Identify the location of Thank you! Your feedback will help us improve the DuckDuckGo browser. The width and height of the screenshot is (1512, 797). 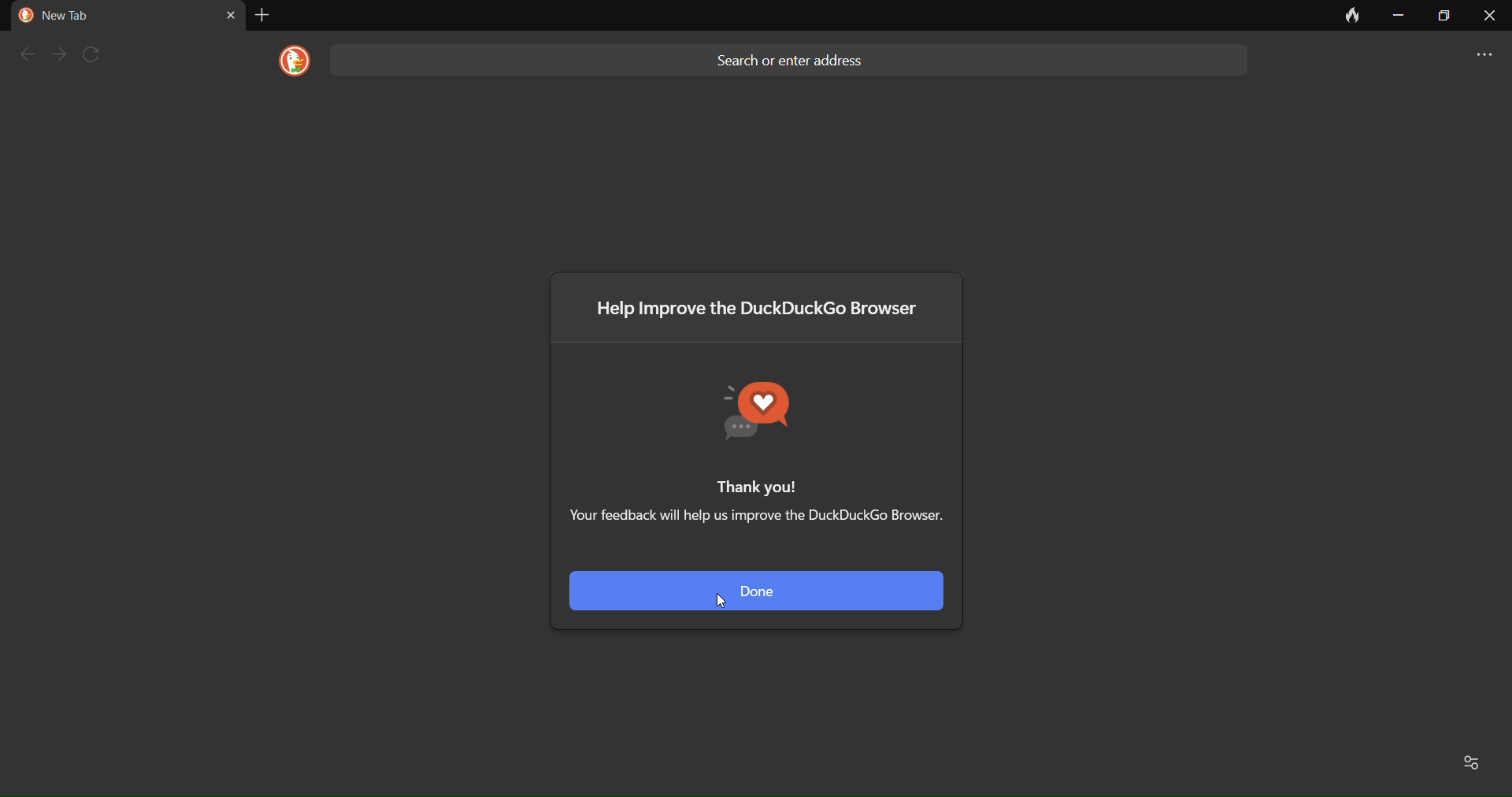
(751, 453).